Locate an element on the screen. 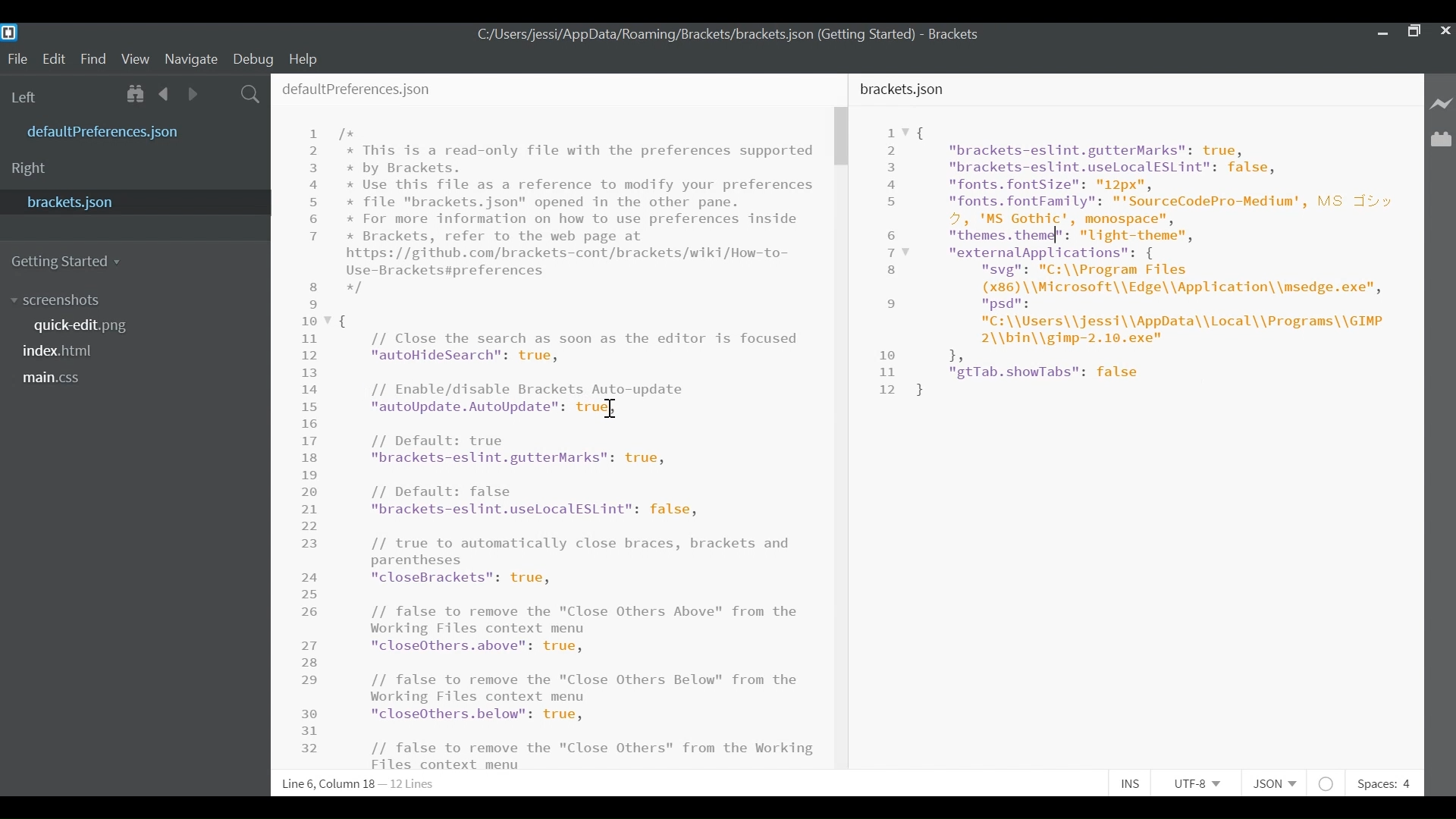 The height and width of the screenshot is (819, 1456). Show Files in tree is located at coordinates (137, 93).